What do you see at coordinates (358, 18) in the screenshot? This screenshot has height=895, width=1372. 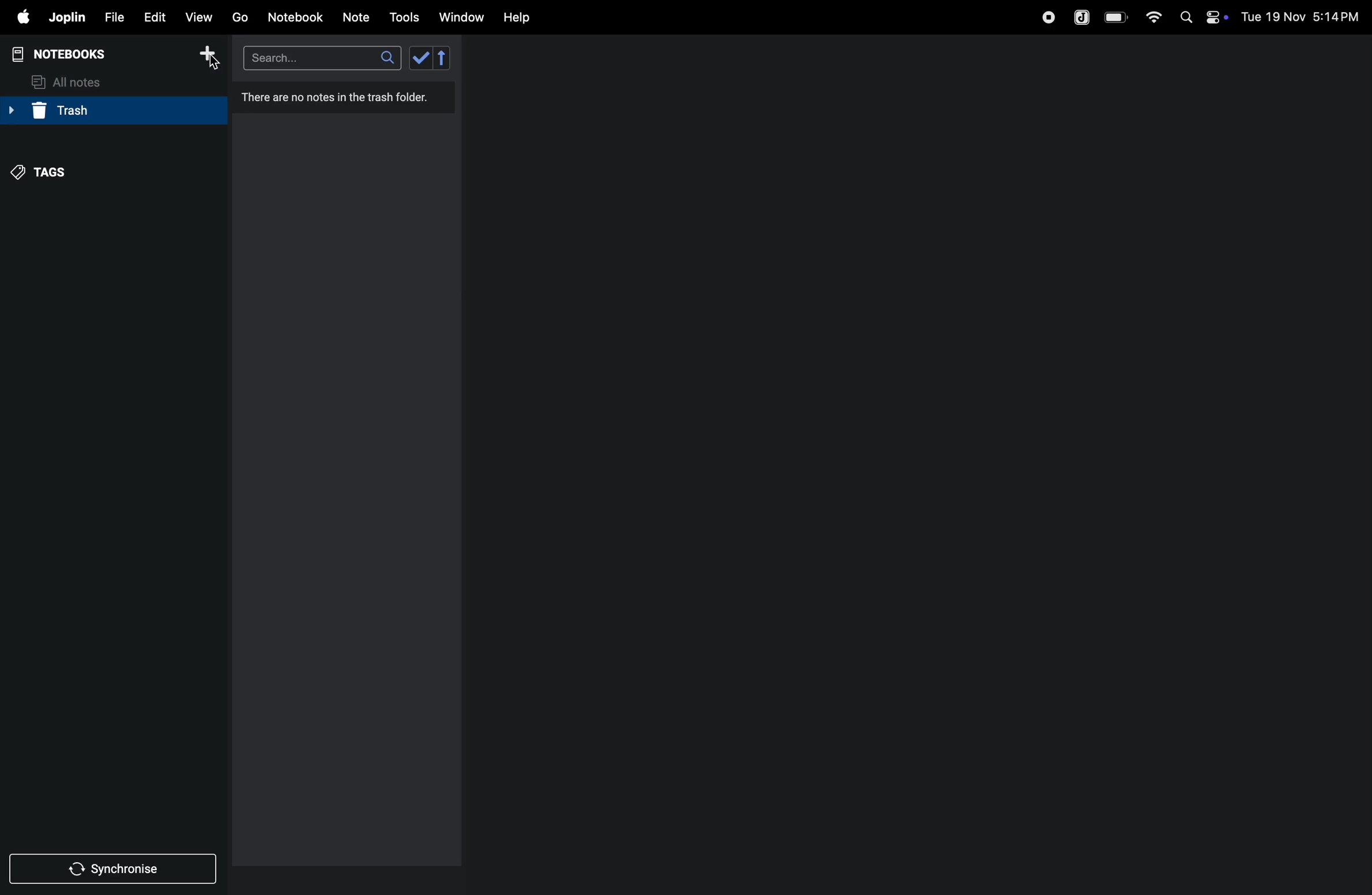 I see `note` at bounding box center [358, 18].